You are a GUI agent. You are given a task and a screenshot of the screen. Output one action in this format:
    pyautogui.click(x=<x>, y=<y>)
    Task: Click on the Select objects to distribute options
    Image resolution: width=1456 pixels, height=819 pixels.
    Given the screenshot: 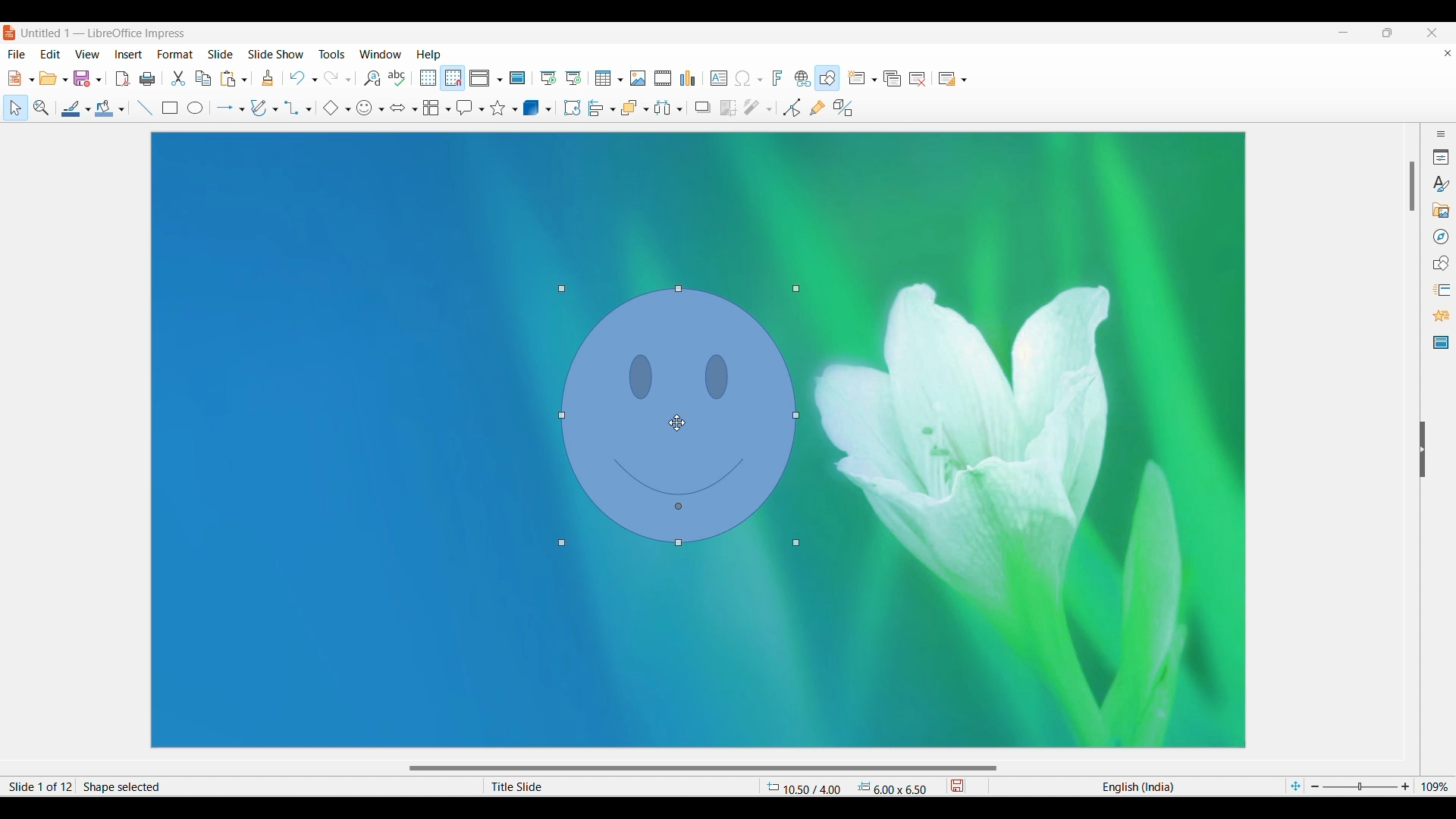 What is the action you would take?
    pyautogui.click(x=679, y=109)
    